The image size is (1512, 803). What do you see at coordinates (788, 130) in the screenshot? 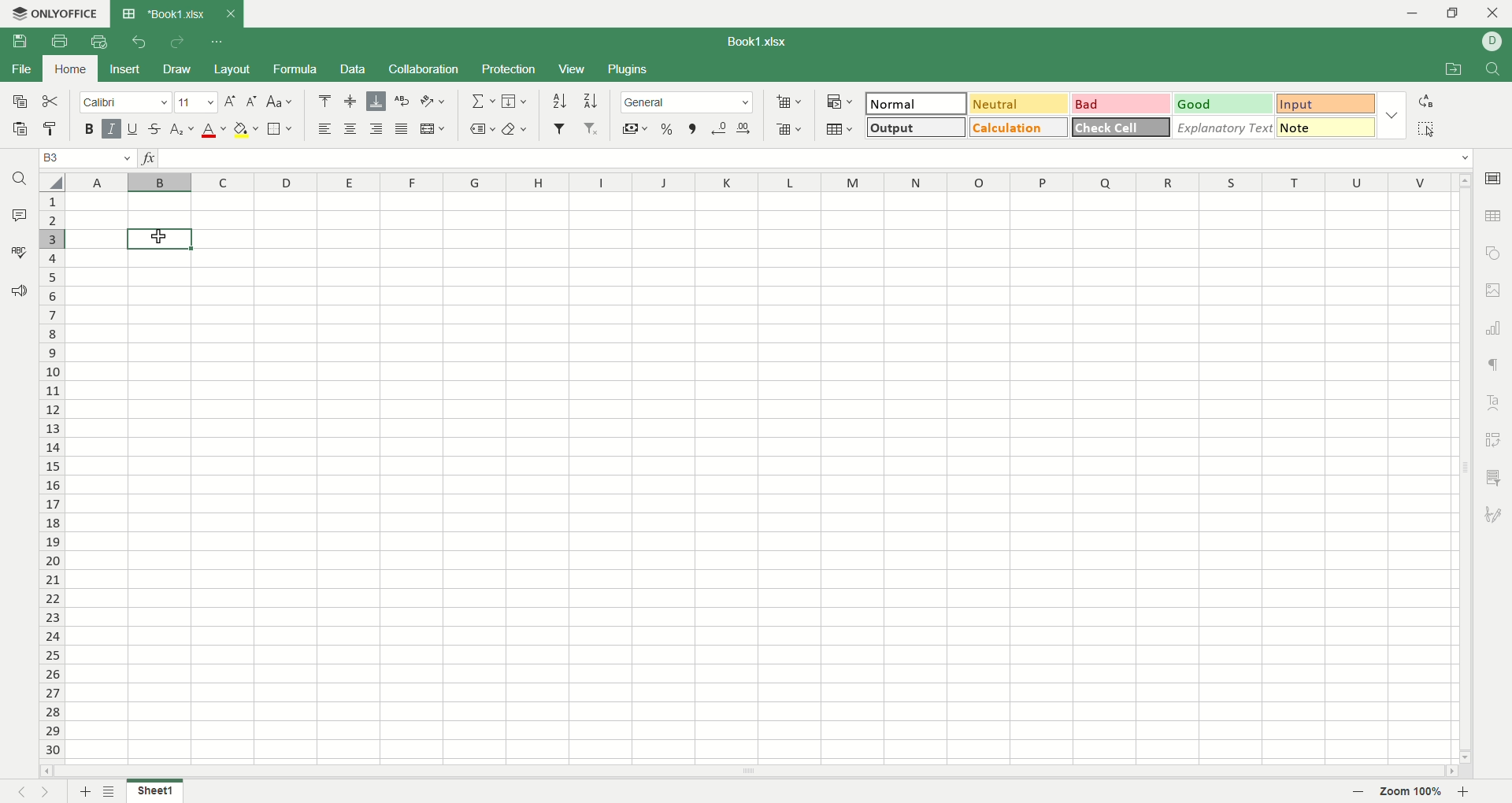
I see `delete cell` at bounding box center [788, 130].